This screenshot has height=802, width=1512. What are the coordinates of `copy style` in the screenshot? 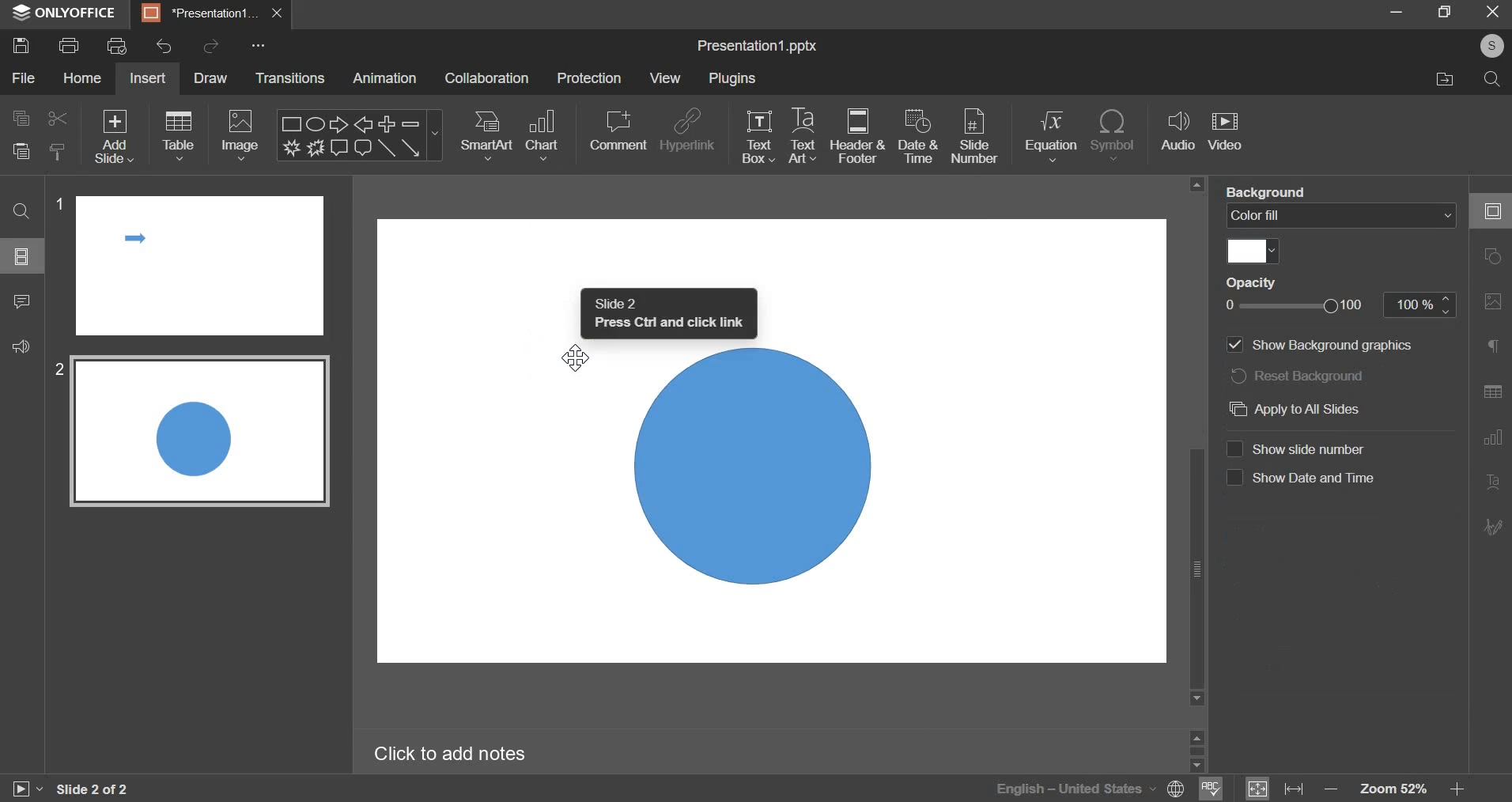 It's located at (58, 151).